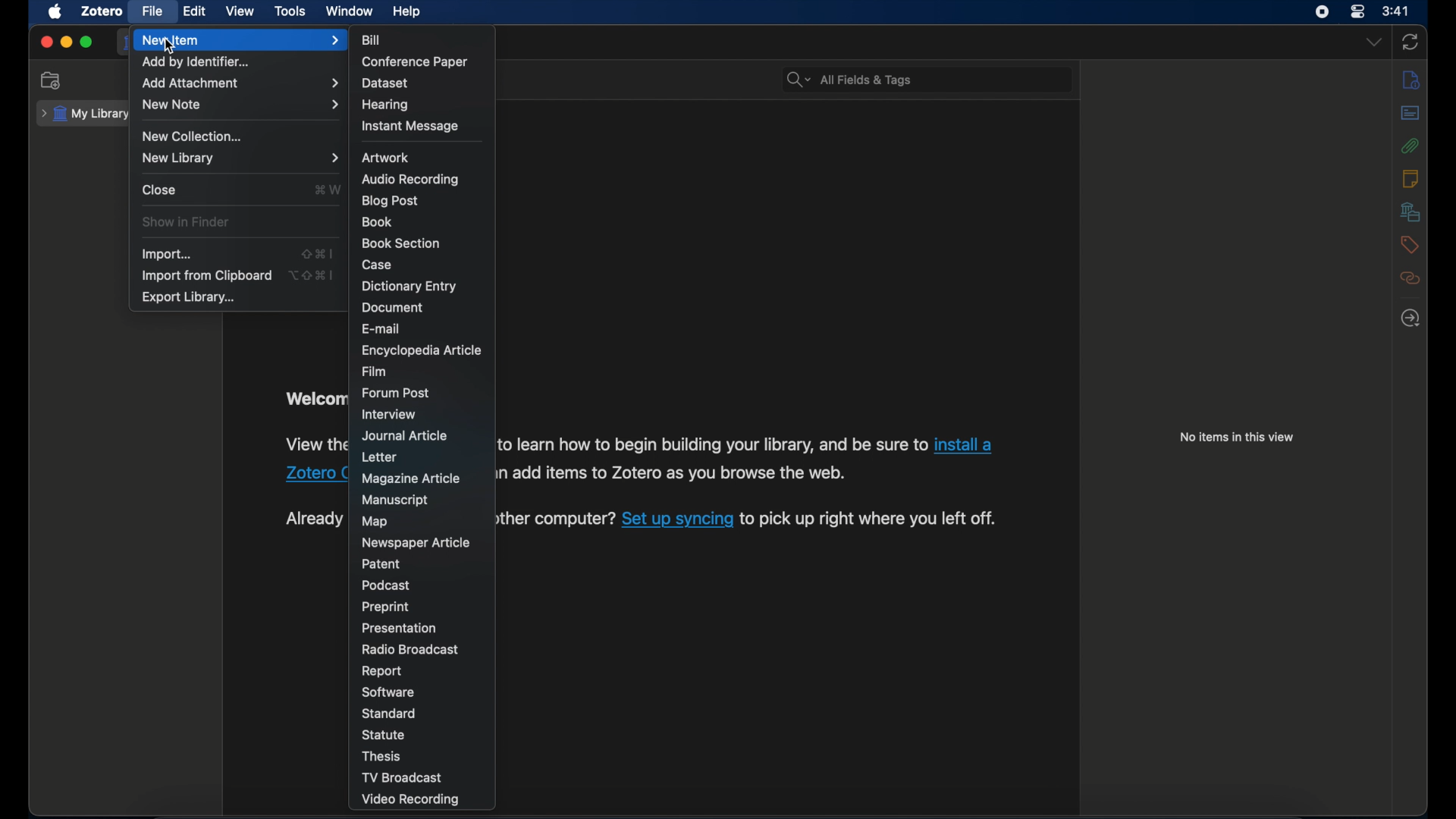  What do you see at coordinates (171, 47) in the screenshot?
I see `cursor` at bounding box center [171, 47].